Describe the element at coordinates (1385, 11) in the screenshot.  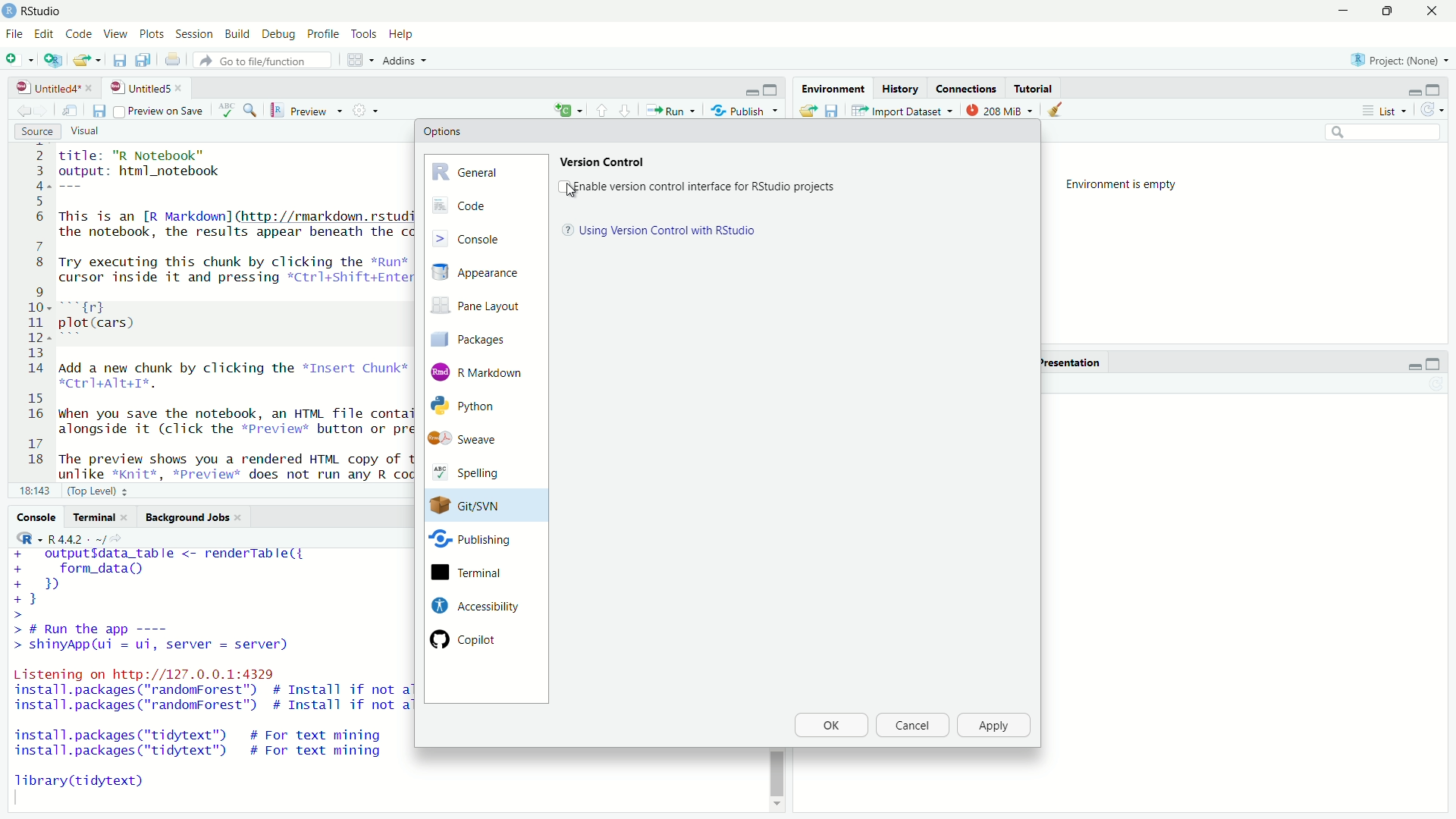
I see `maximise` at that location.